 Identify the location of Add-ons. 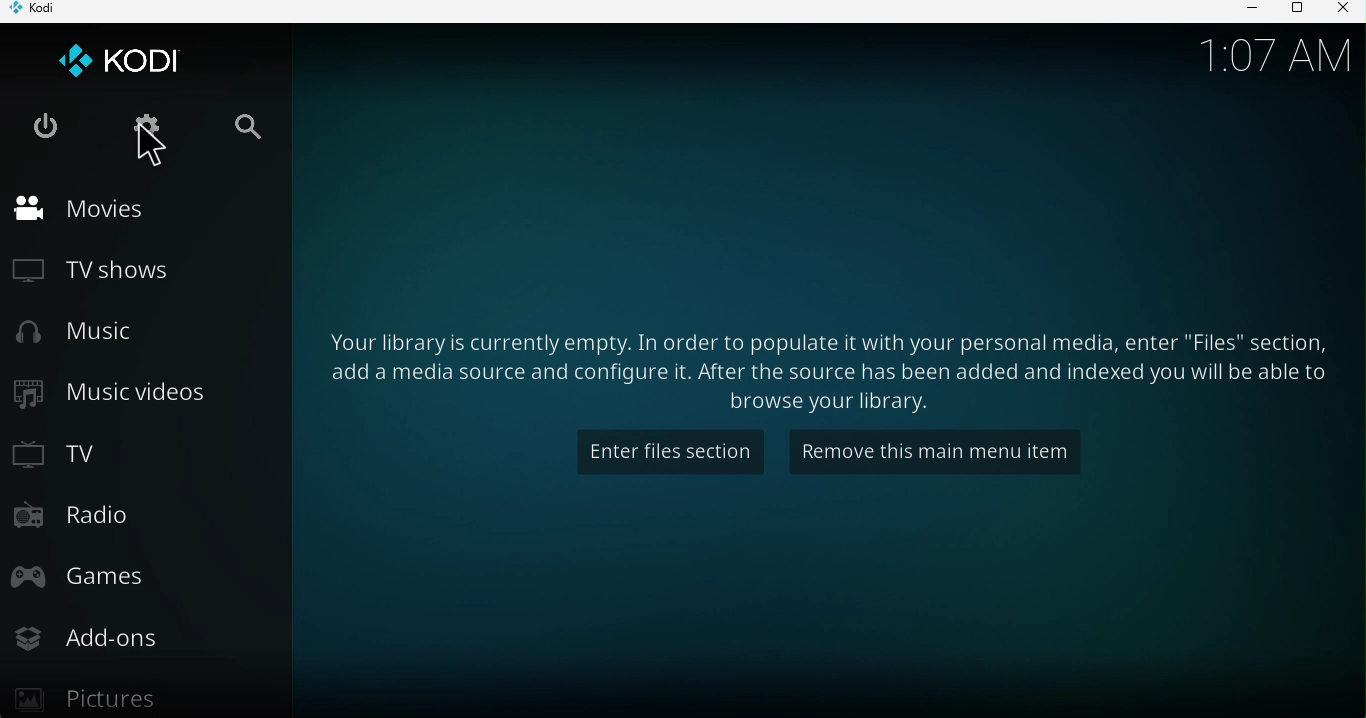
(101, 638).